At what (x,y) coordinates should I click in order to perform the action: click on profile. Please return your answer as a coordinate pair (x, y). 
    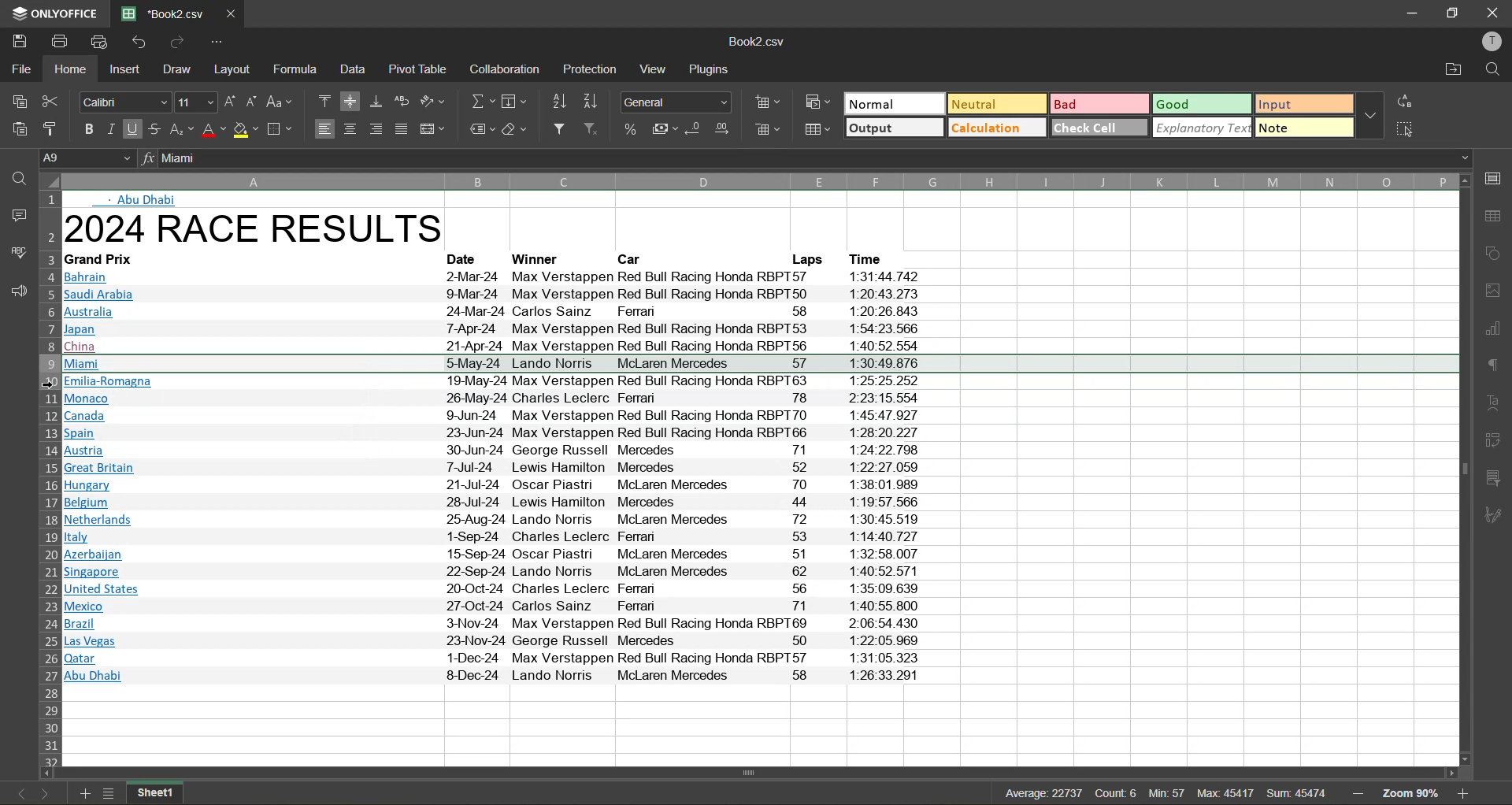
    Looking at the image, I should click on (1493, 42).